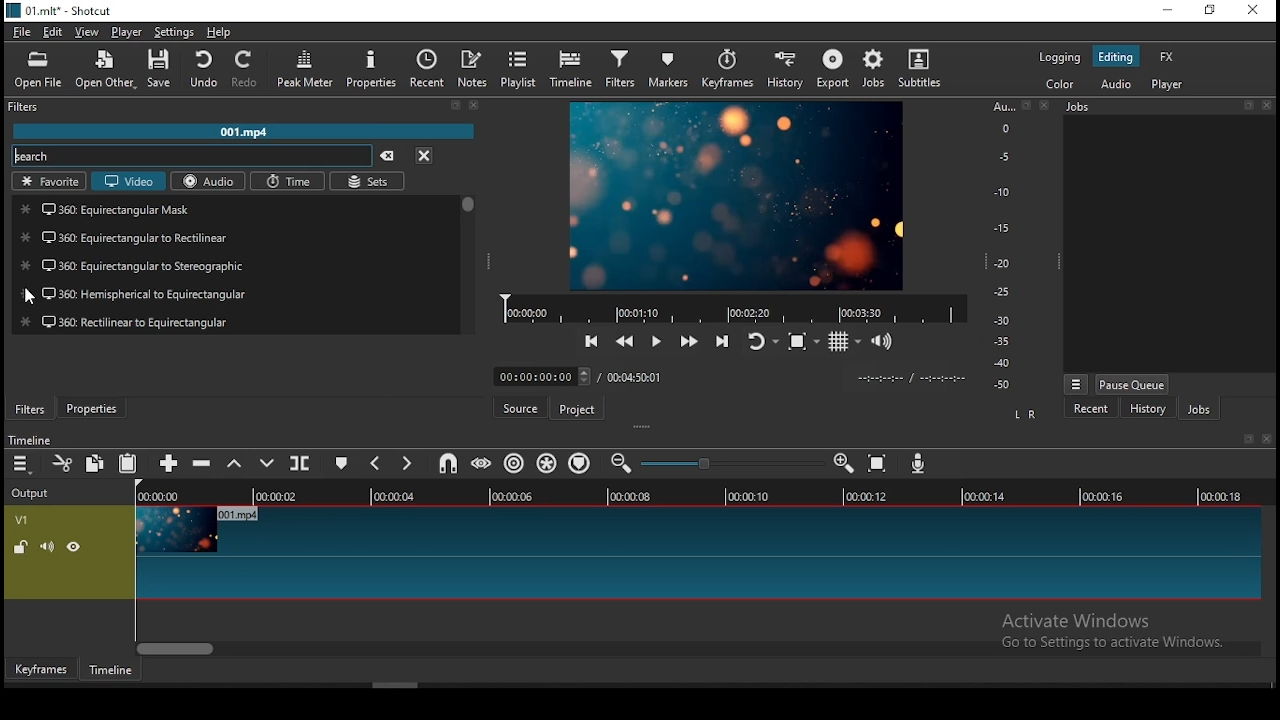  I want to click on settings, so click(177, 30).